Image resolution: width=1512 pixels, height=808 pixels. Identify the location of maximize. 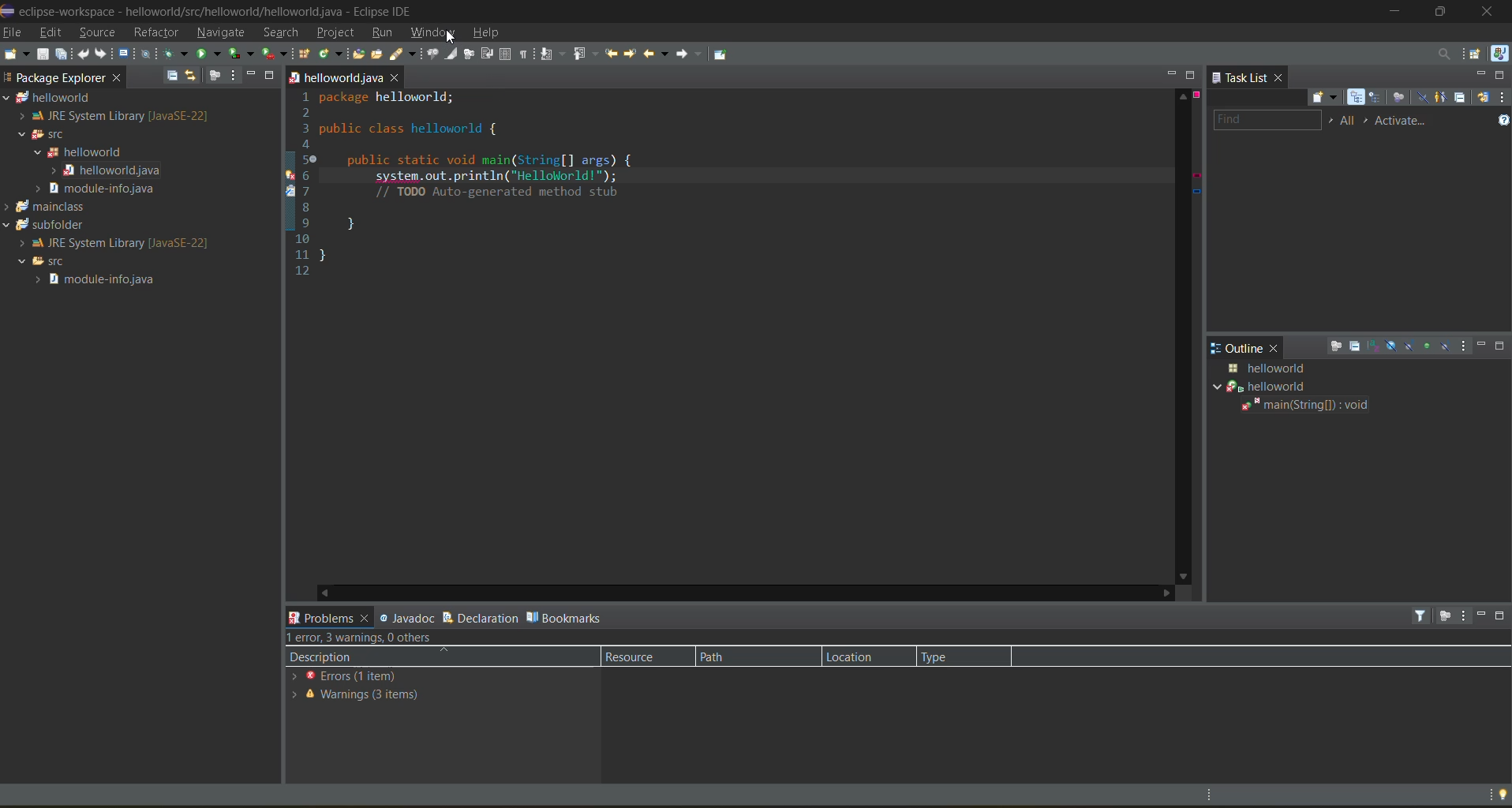
(1503, 346).